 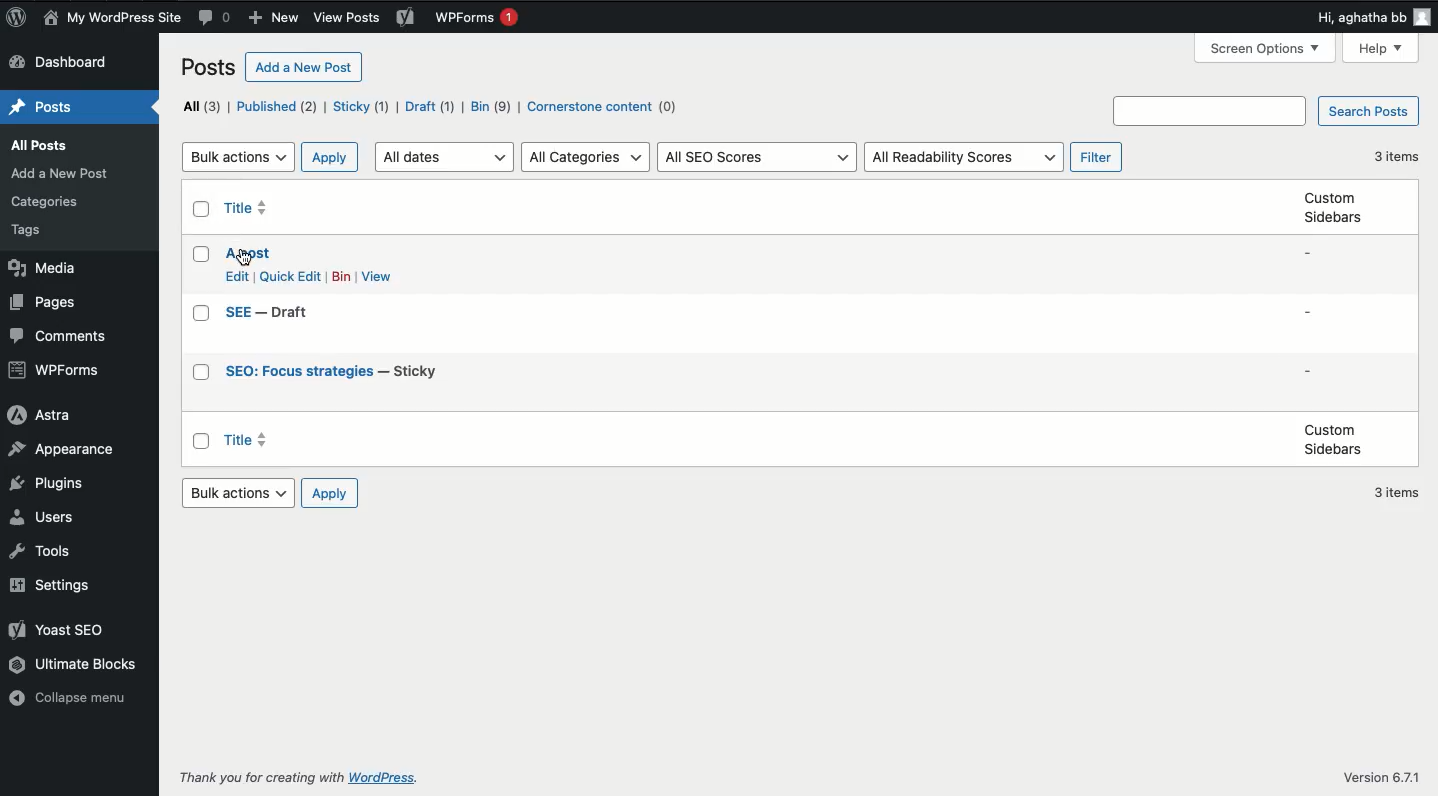 I want to click on Astra, so click(x=40, y=414).